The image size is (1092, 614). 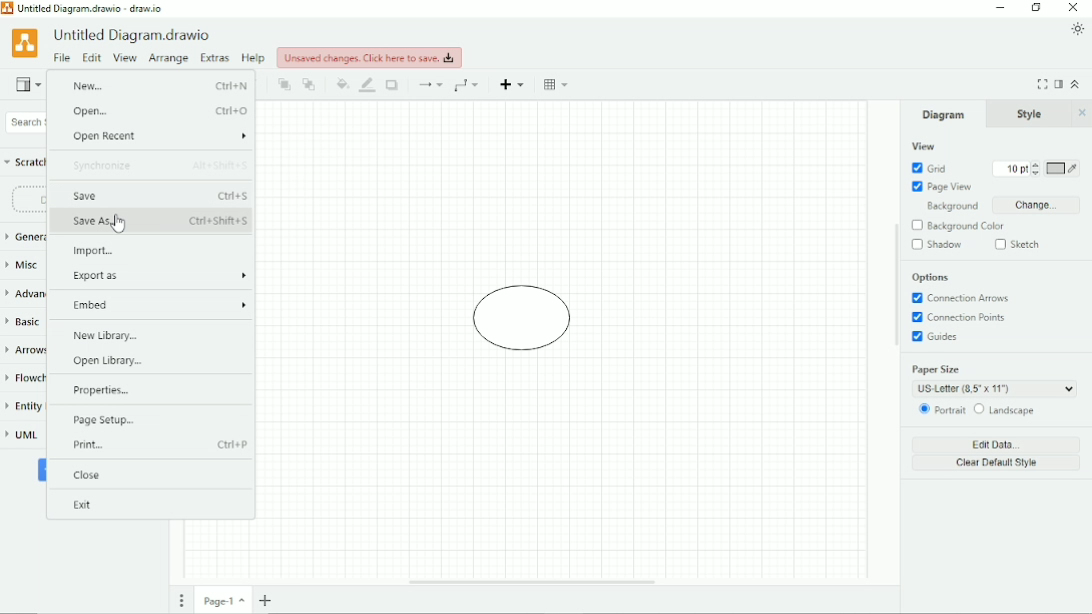 What do you see at coordinates (530, 582) in the screenshot?
I see `Horizontal Scroll Bar` at bounding box center [530, 582].